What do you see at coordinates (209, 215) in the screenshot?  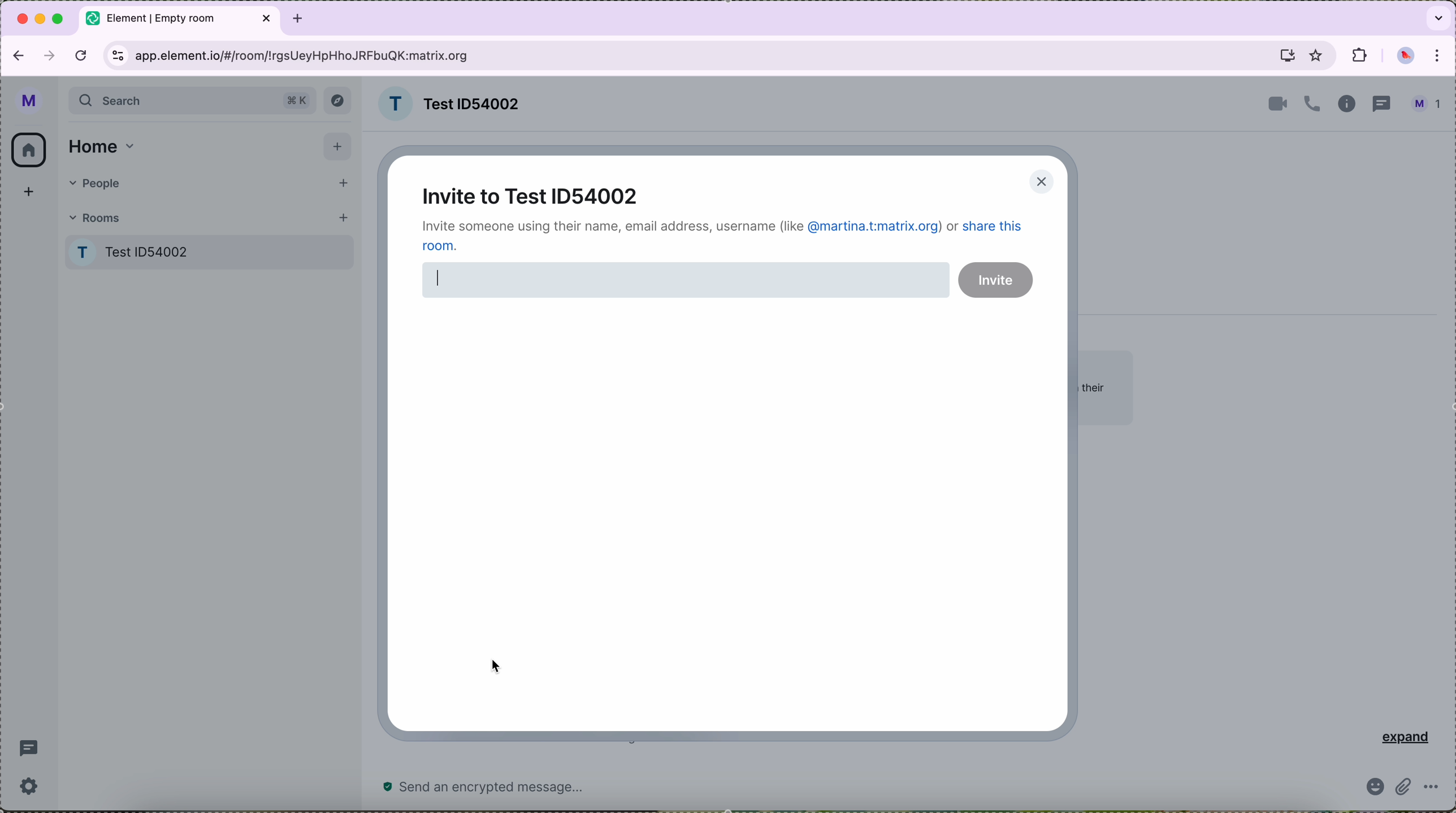 I see `rooms tab` at bounding box center [209, 215].